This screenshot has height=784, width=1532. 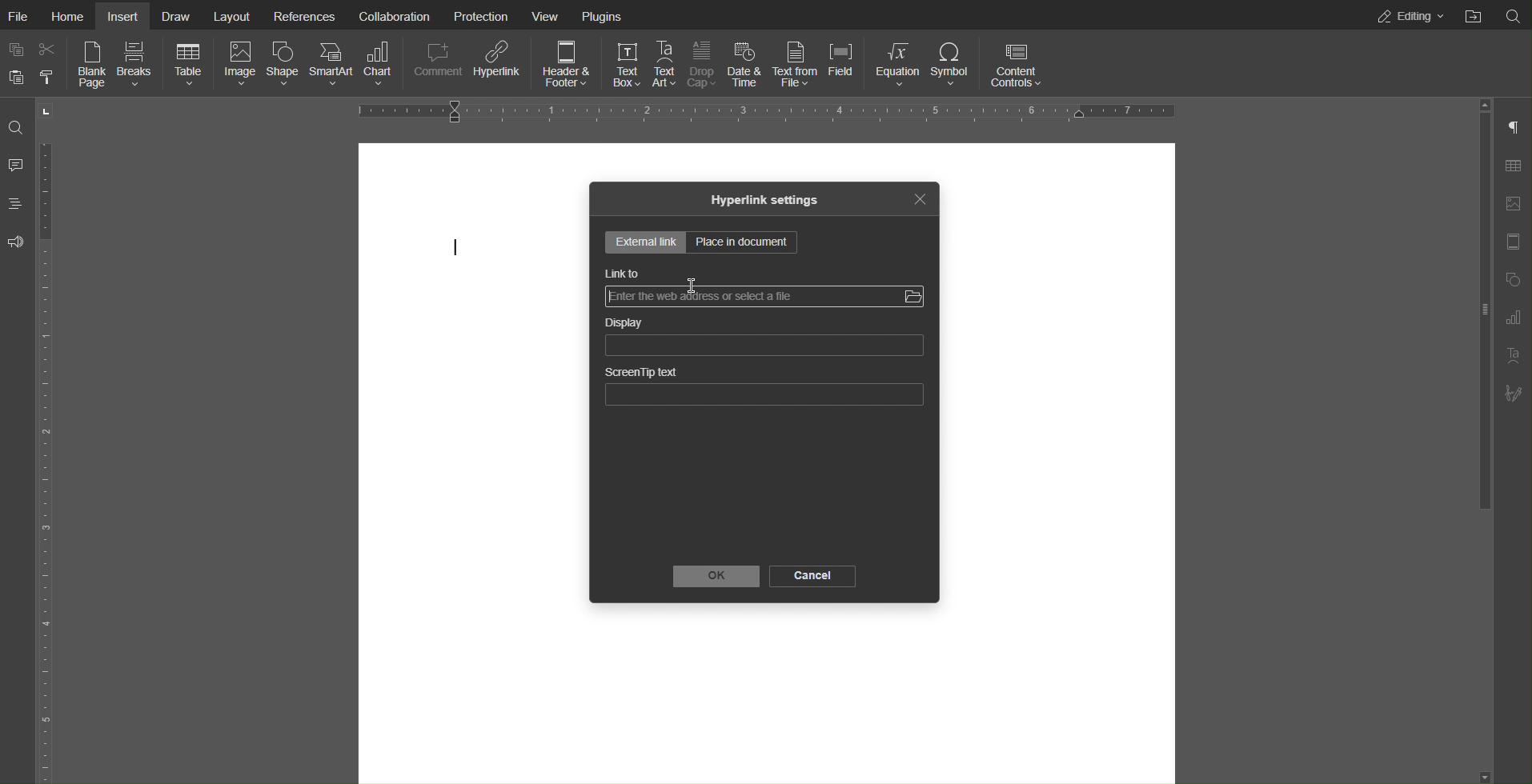 What do you see at coordinates (1512, 244) in the screenshot?
I see `Header Footer` at bounding box center [1512, 244].